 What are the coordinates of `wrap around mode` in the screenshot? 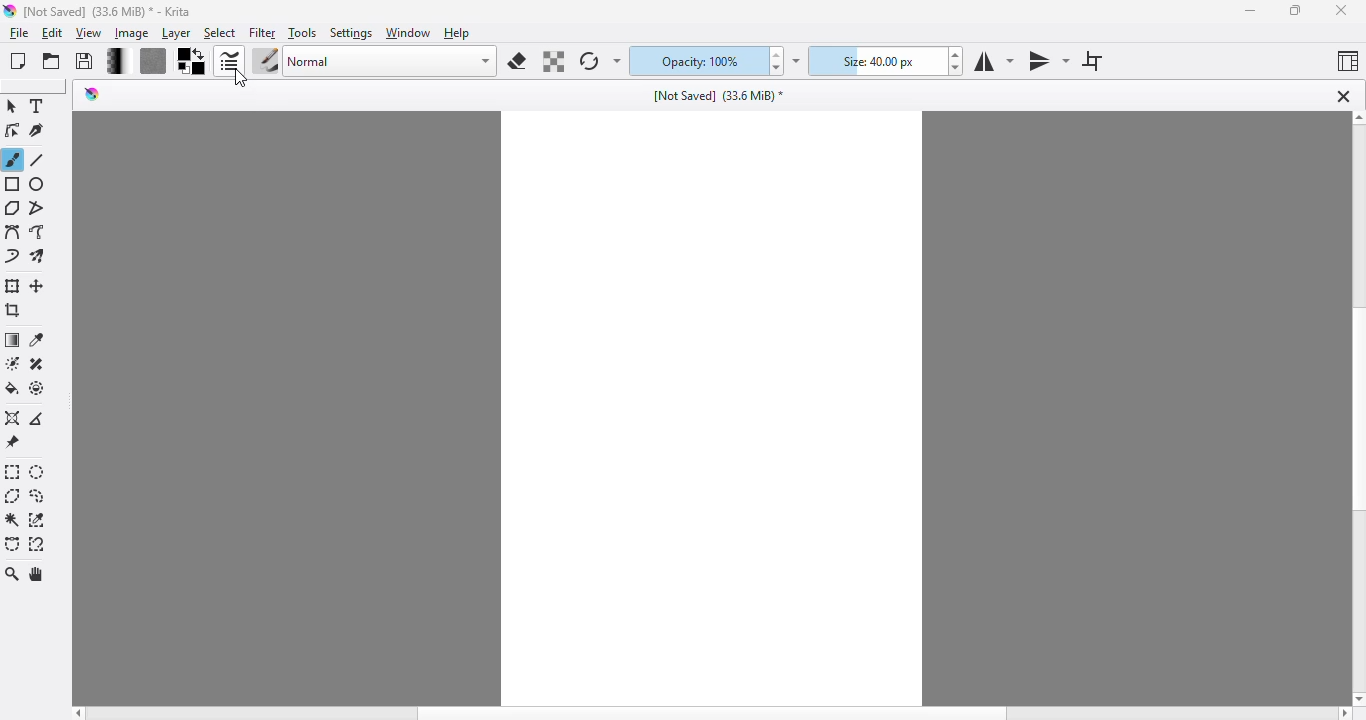 It's located at (1093, 62).